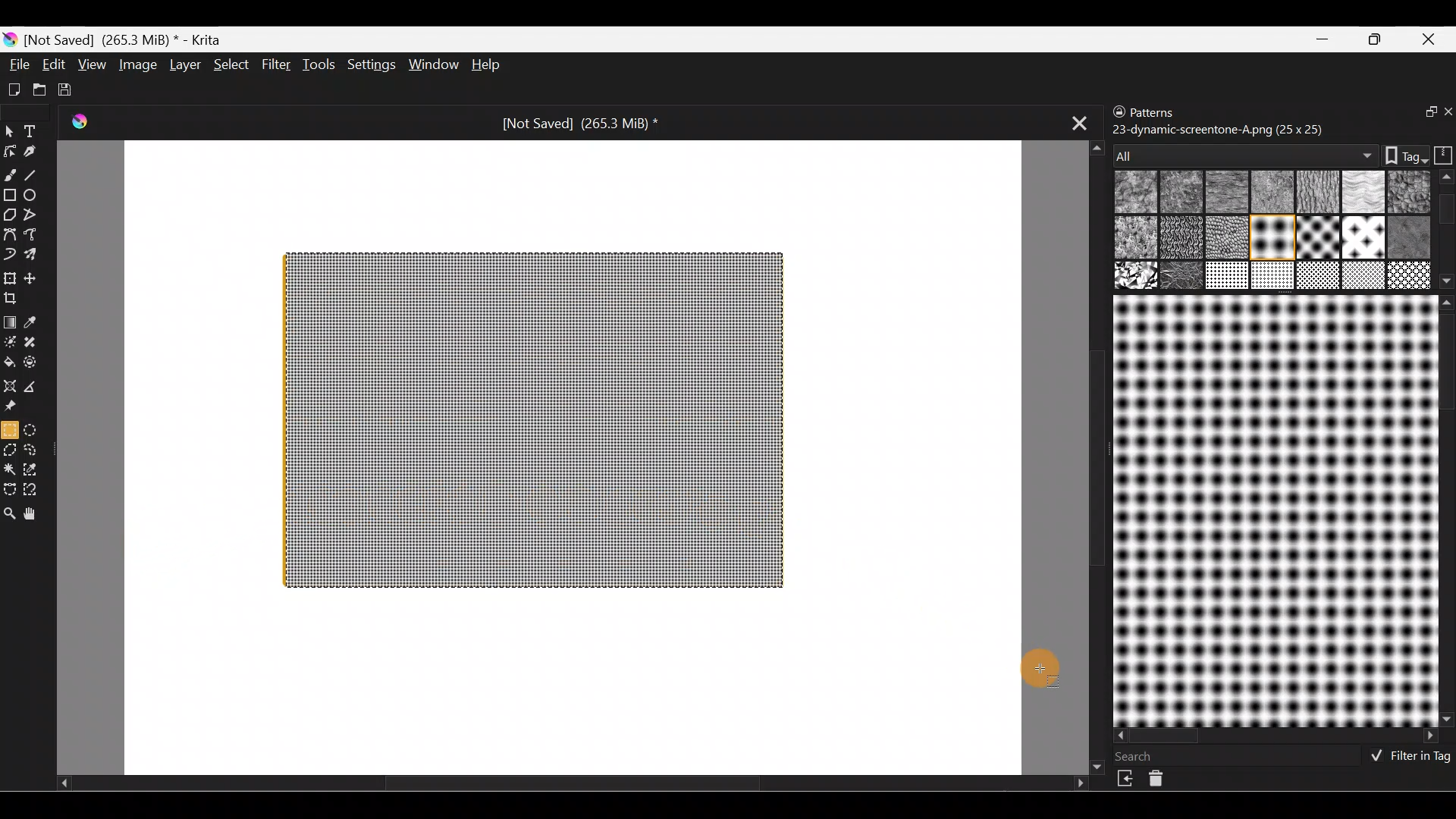  Describe the element at coordinates (1090, 455) in the screenshot. I see `Scroll tab` at that location.